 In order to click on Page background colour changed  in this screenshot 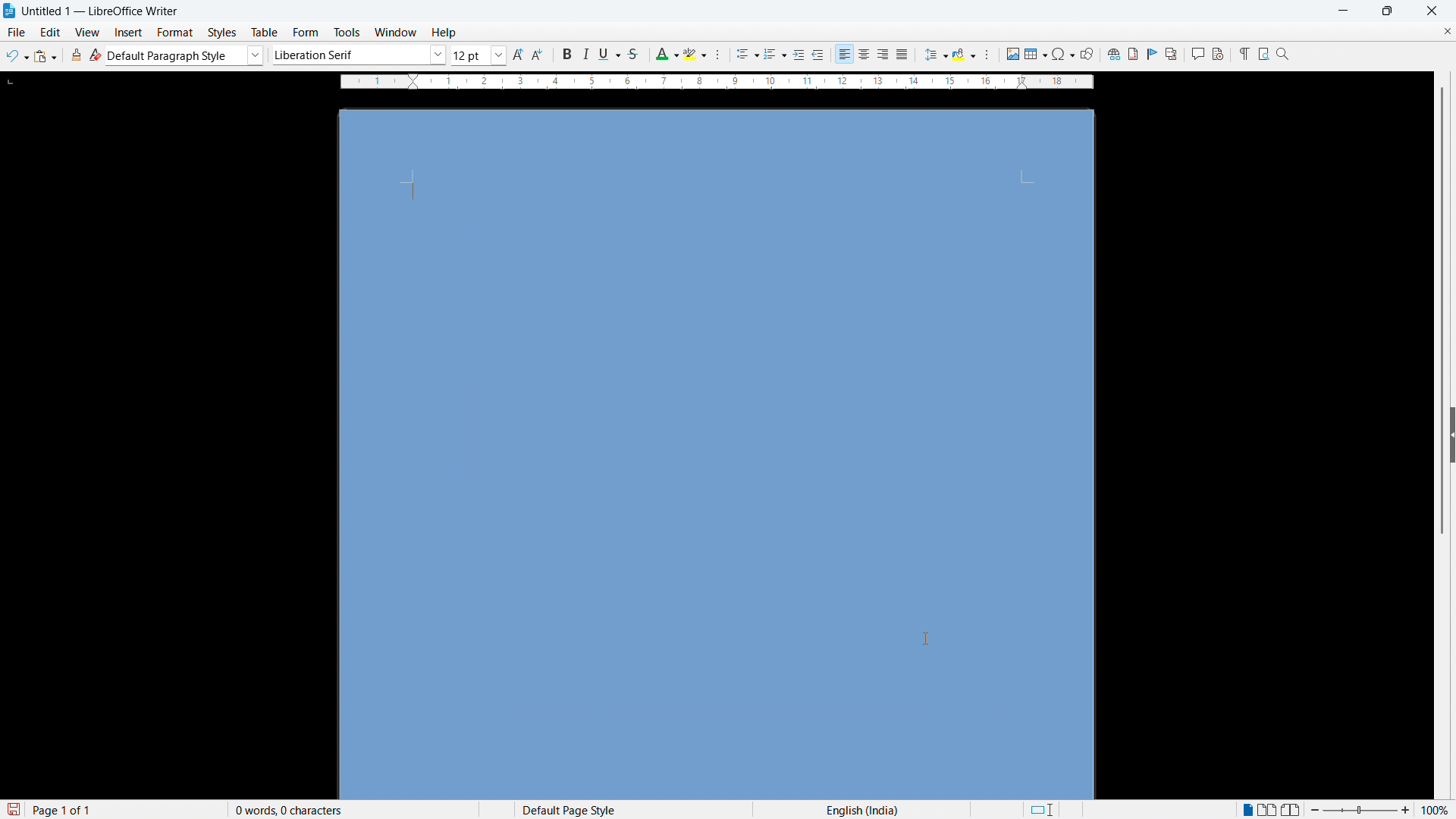, I will do `click(717, 456)`.